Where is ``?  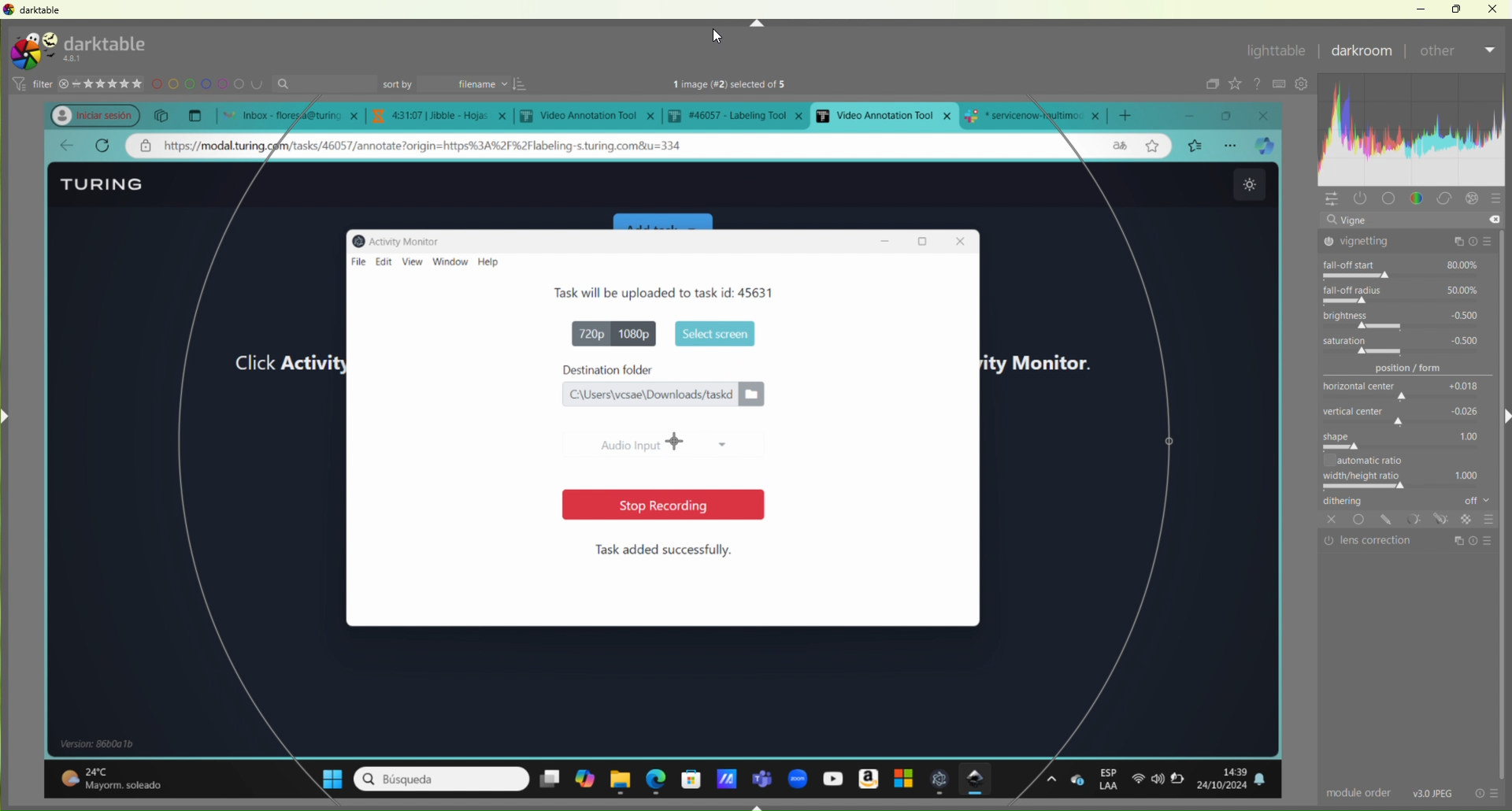
 is located at coordinates (1248, 82).